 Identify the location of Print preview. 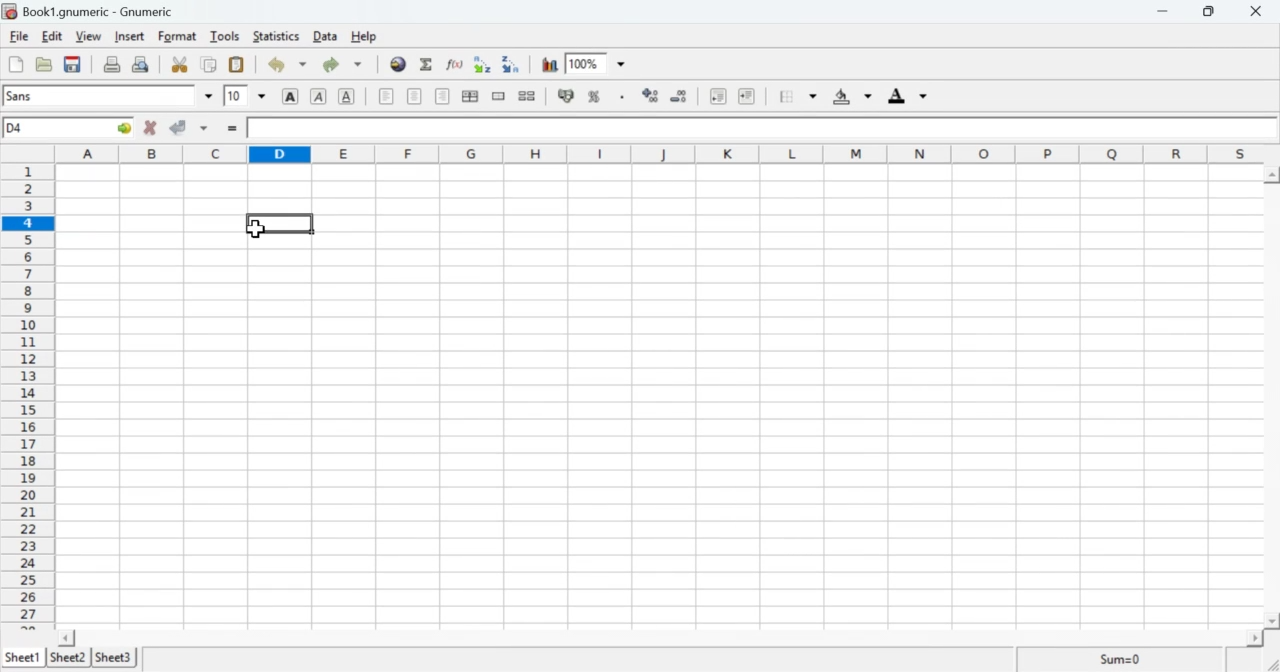
(143, 64).